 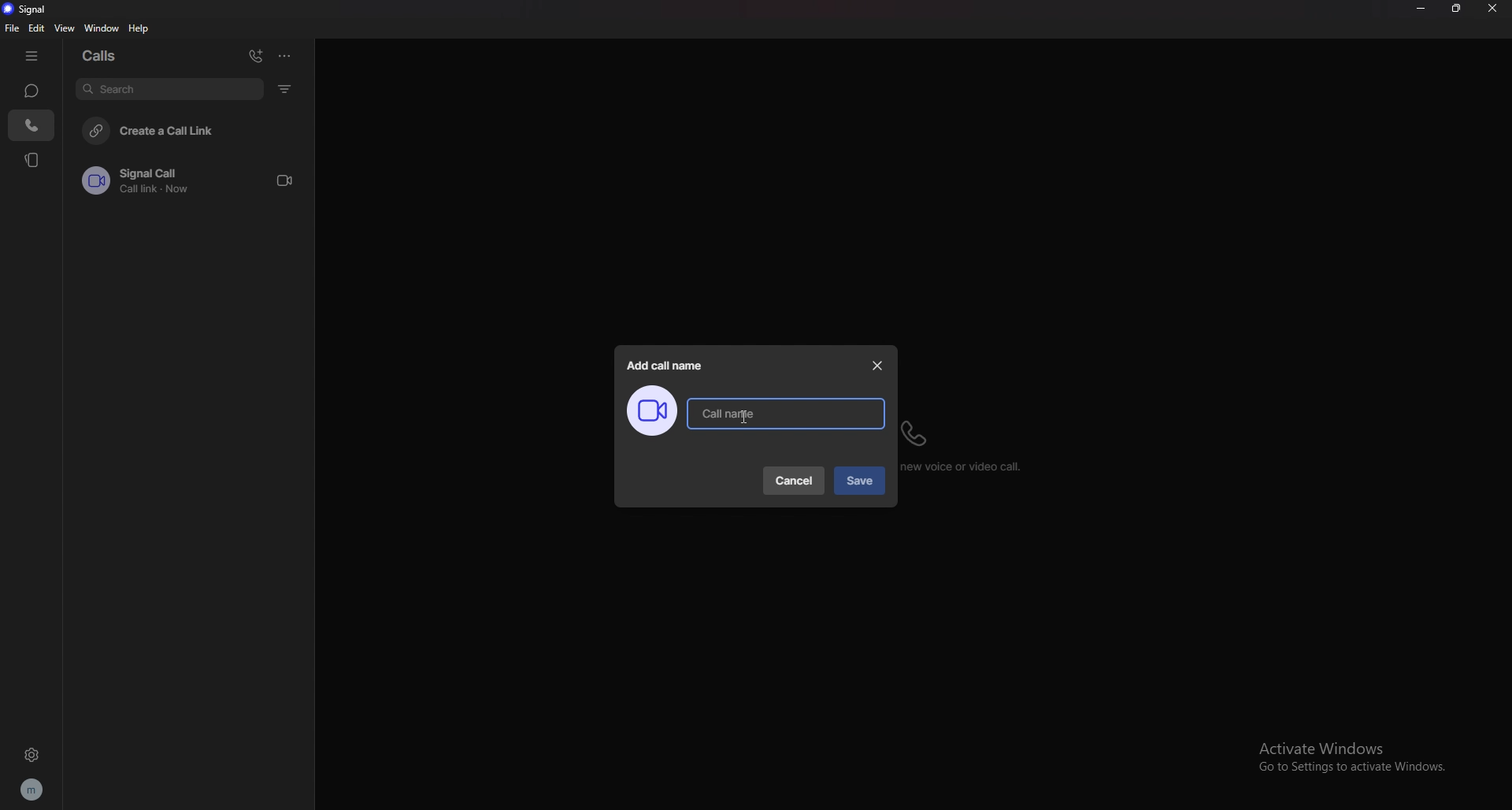 What do you see at coordinates (31, 790) in the screenshot?
I see `profile` at bounding box center [31, 790].